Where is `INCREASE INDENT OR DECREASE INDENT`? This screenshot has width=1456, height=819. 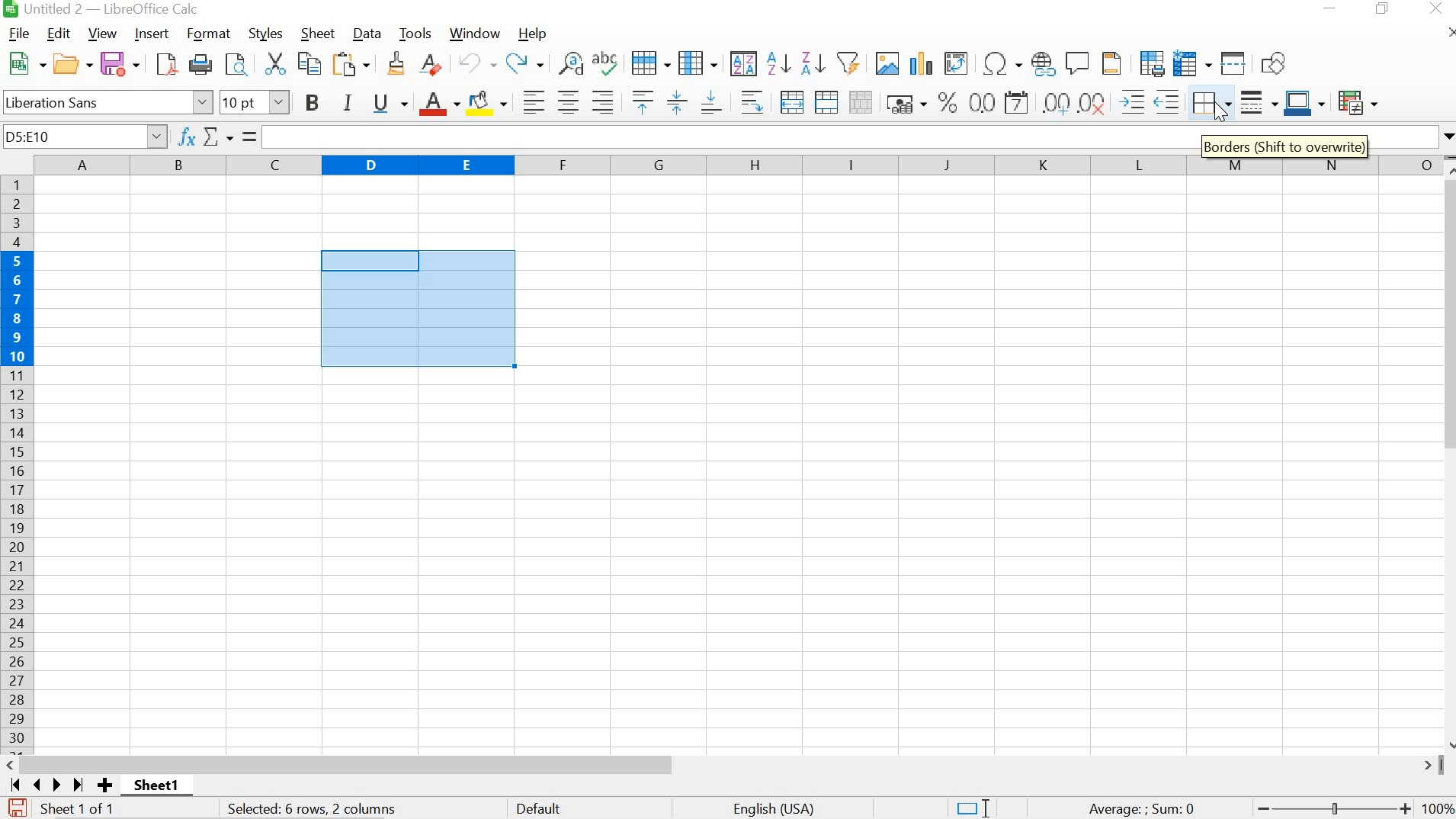 INCREASE INDENT OR DECREASE INDENT is located at coordinates (1150, 103).